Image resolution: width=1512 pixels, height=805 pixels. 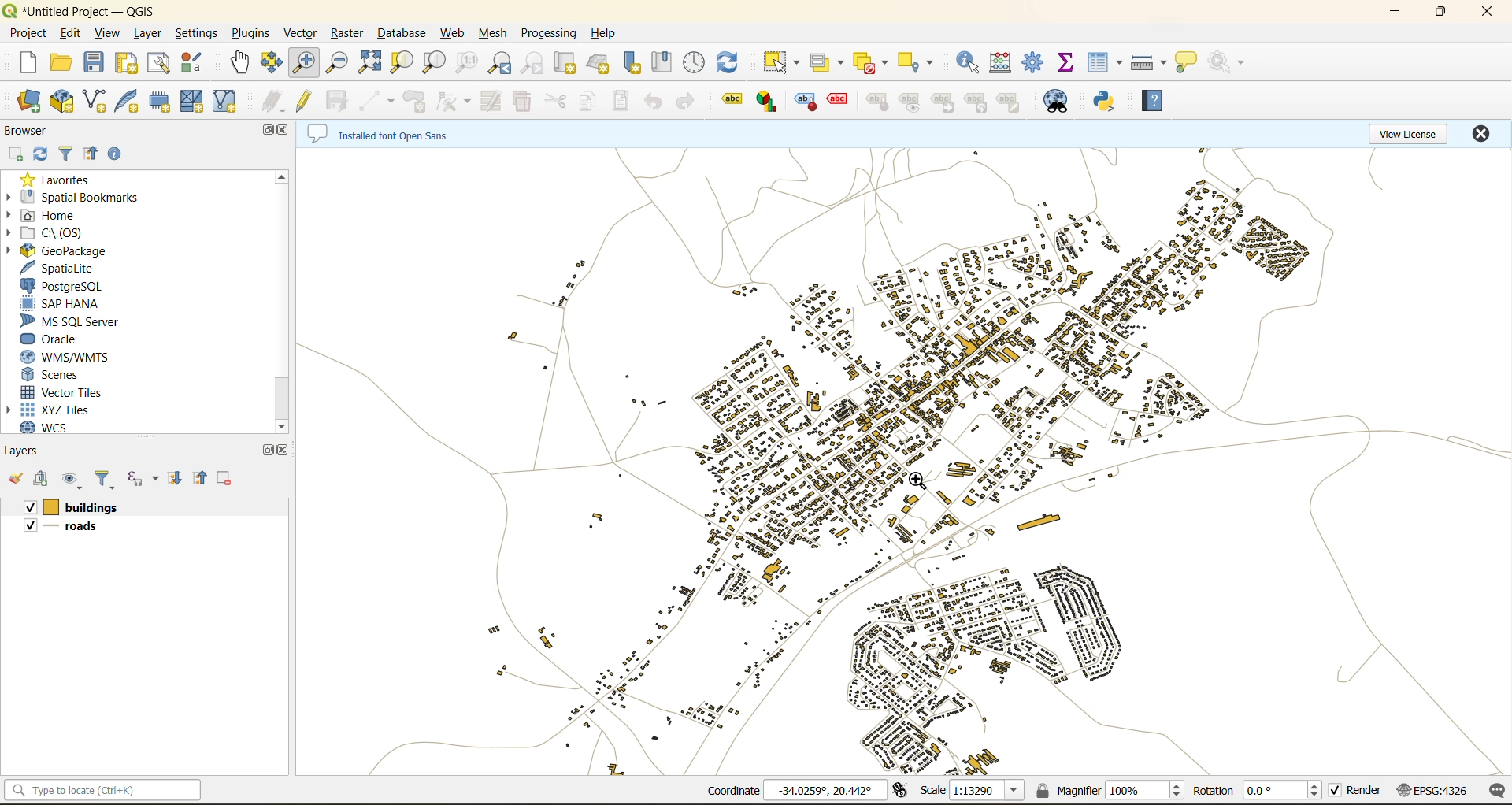 What do you see at coordinates (1257, 791) in the screenshot?
I see `rotation` at bounding box center [1257, 791].